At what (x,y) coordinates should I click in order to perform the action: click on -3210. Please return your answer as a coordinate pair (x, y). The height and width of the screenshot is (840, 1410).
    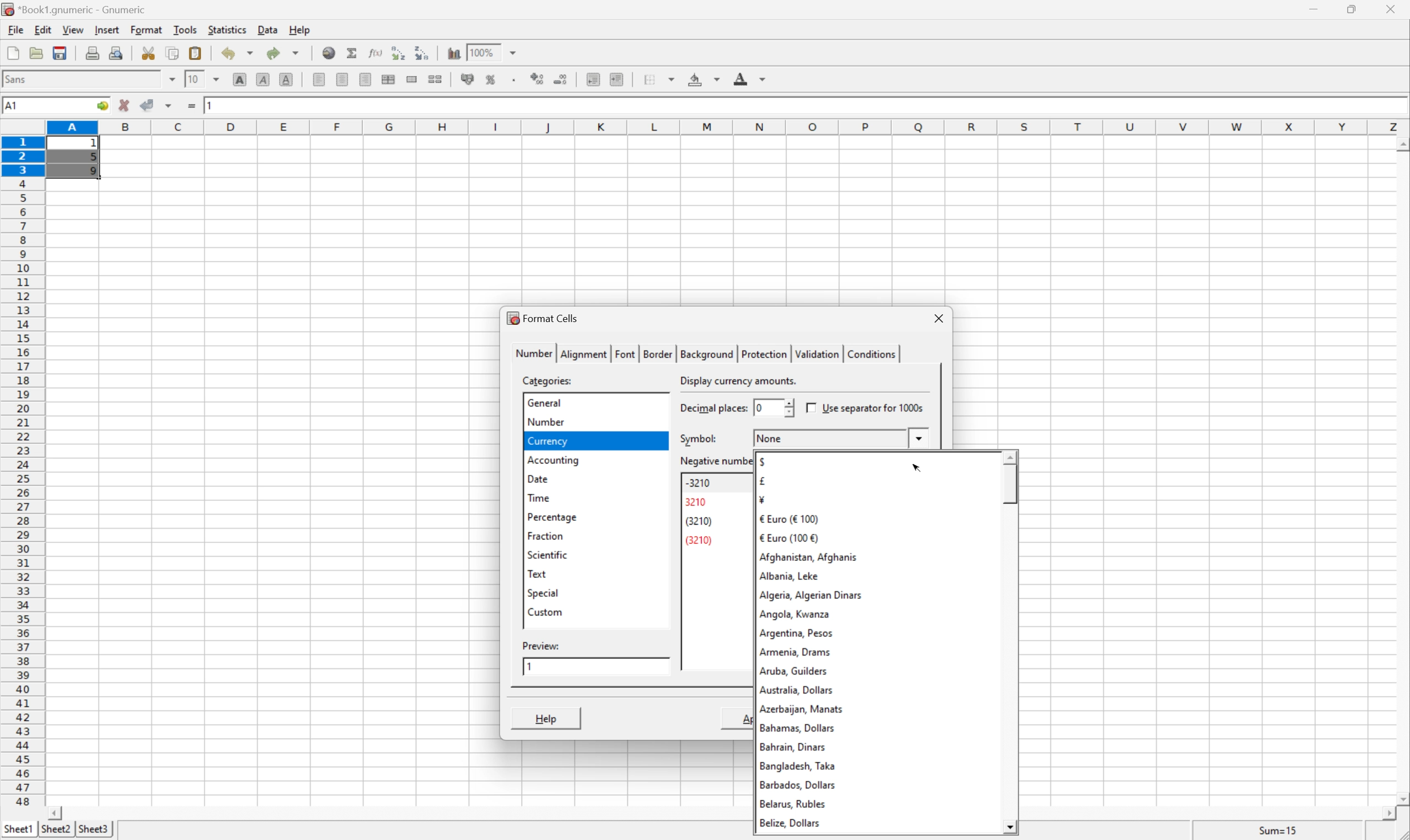
    Looking at the image, I should click on (700, 483).